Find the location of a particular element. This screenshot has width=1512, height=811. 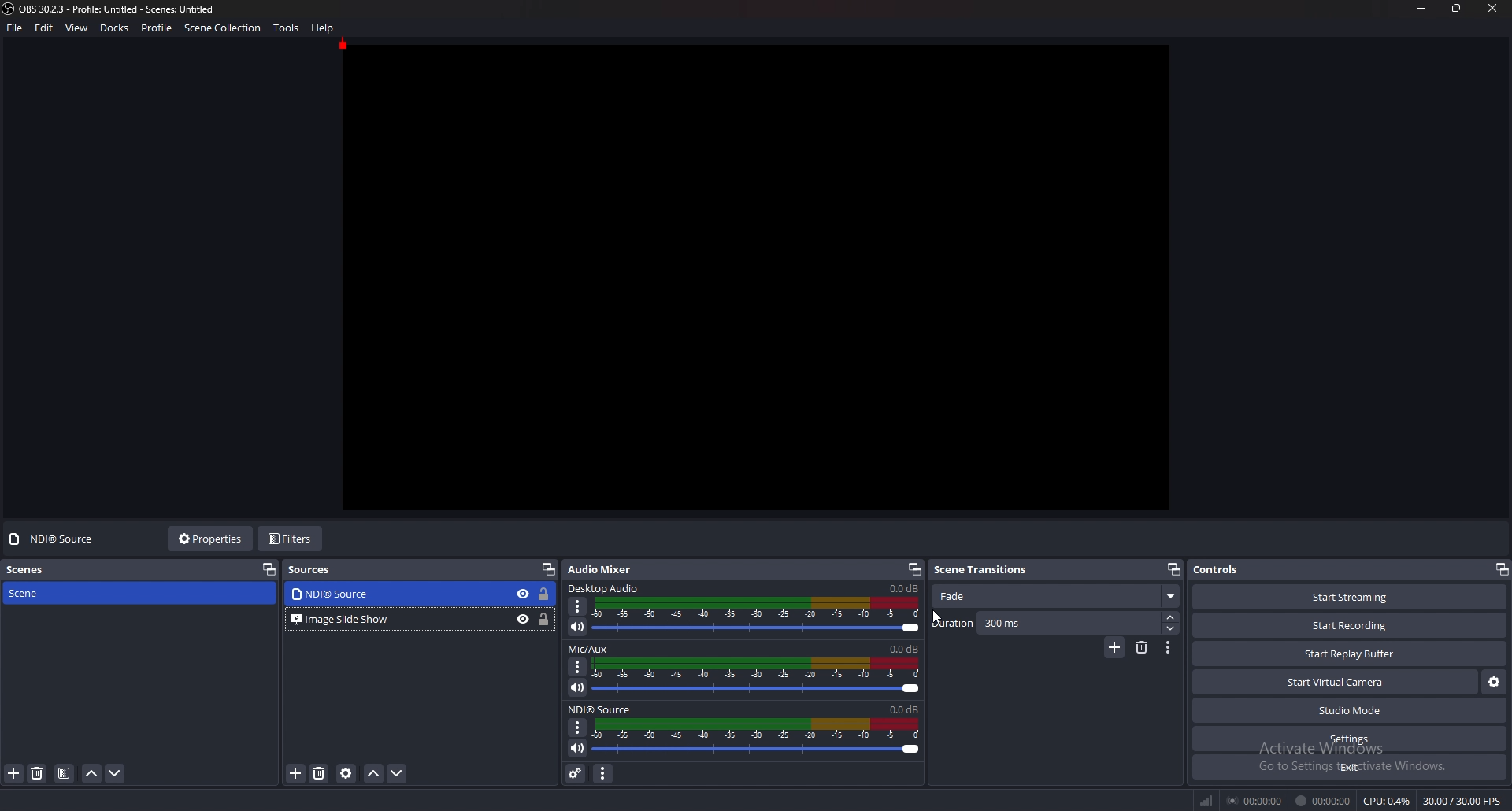

desktop audio is located at coordinates (606, 587).